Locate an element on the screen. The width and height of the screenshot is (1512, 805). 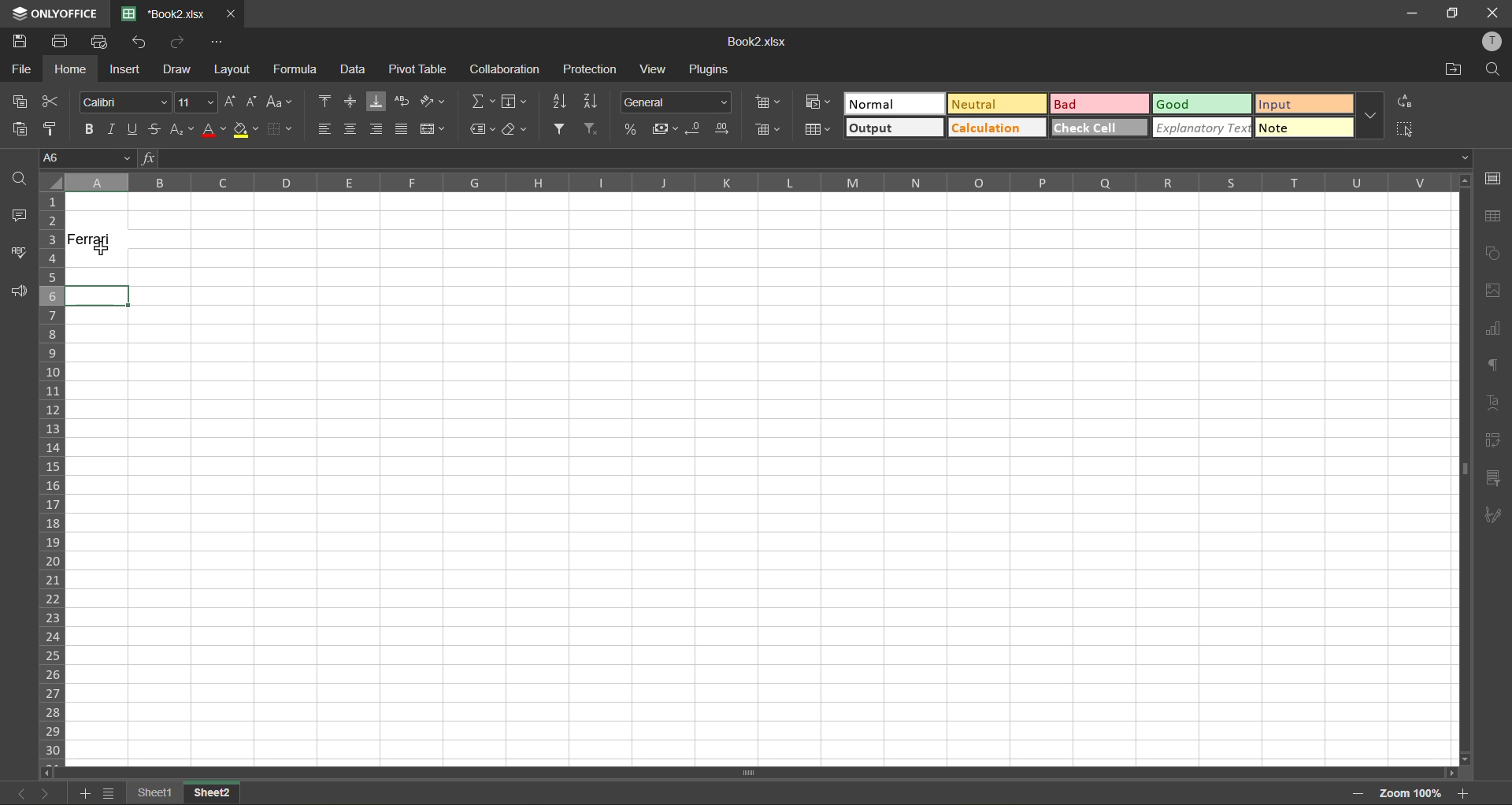
sheet names is located at coordinates (182, 793).